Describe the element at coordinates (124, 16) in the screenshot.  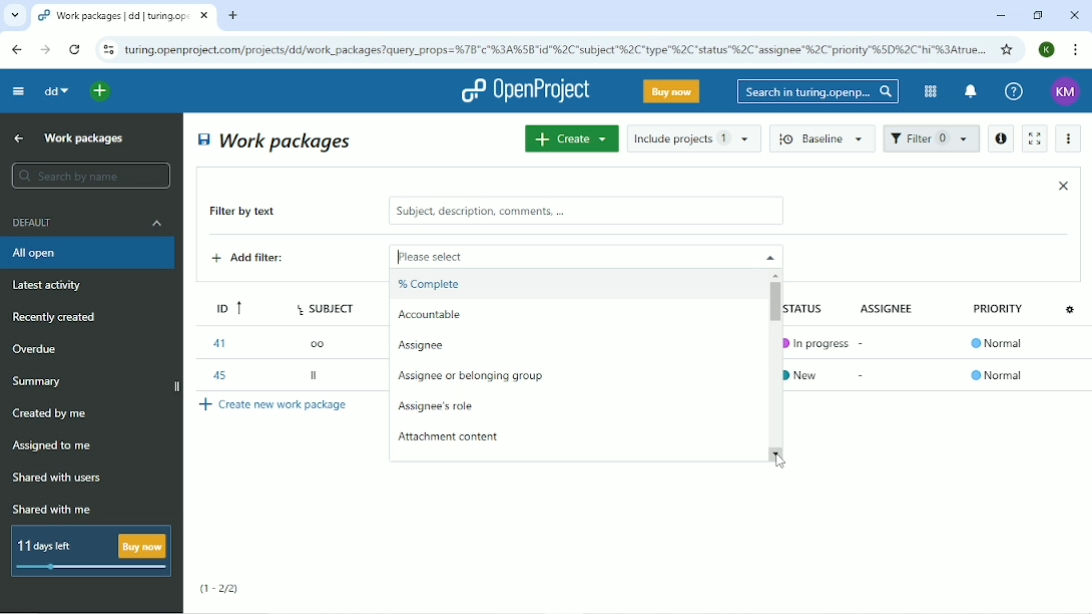
I see `Current tab` at that location.